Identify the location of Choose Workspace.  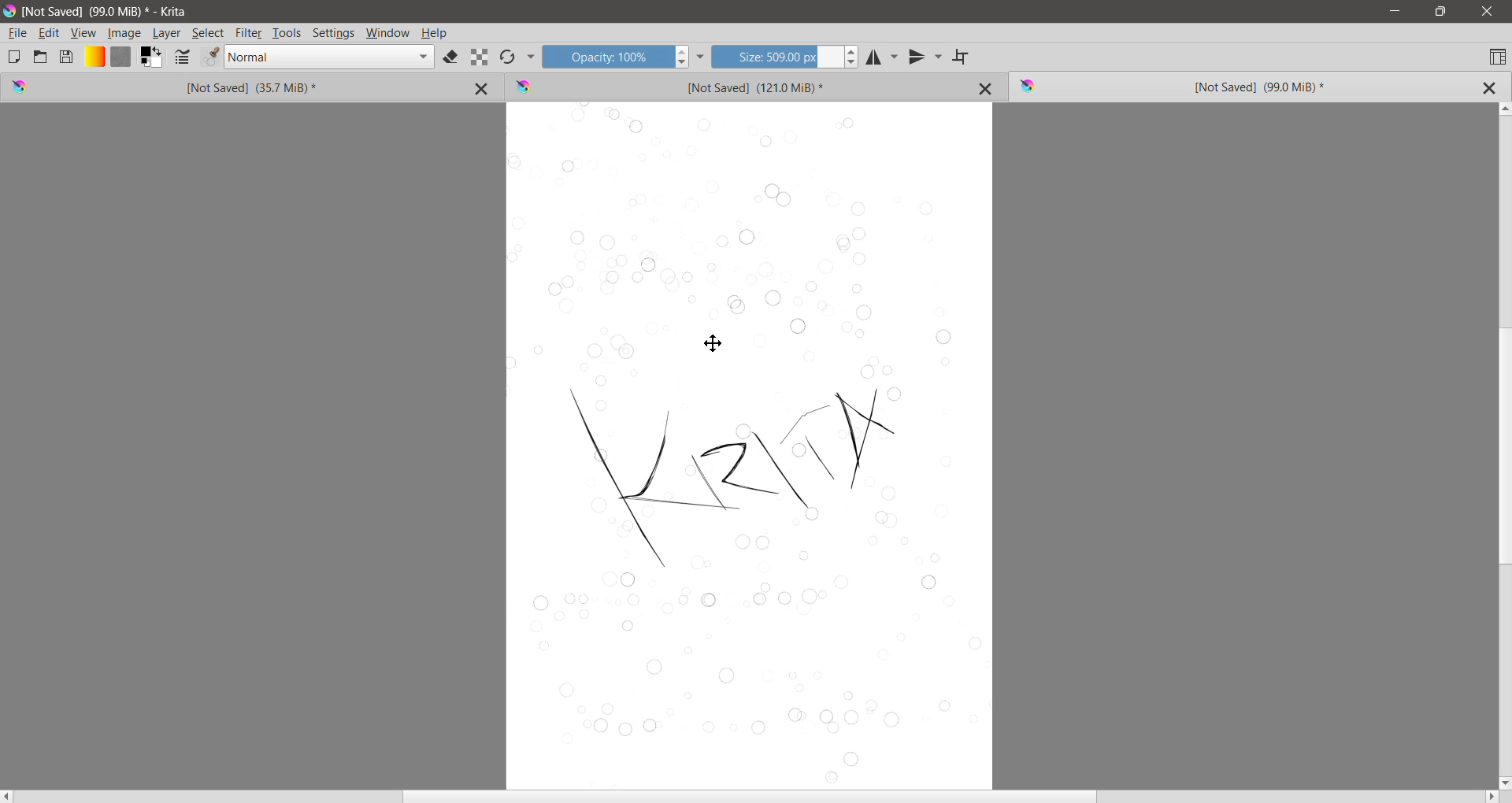
(1497, 56).